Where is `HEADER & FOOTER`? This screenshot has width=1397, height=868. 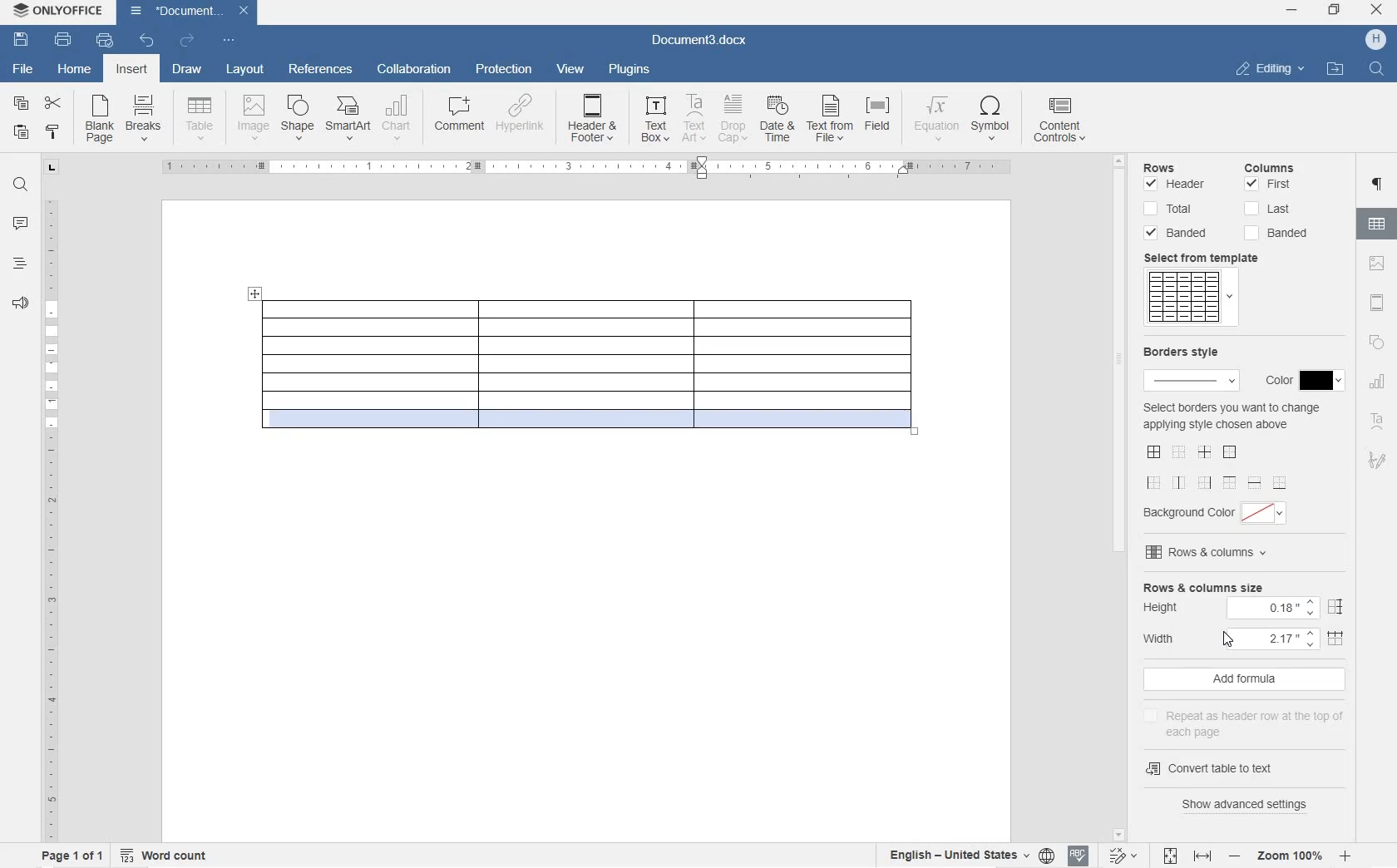 HEADER & FOOTER is located at coordinates (592, 118).